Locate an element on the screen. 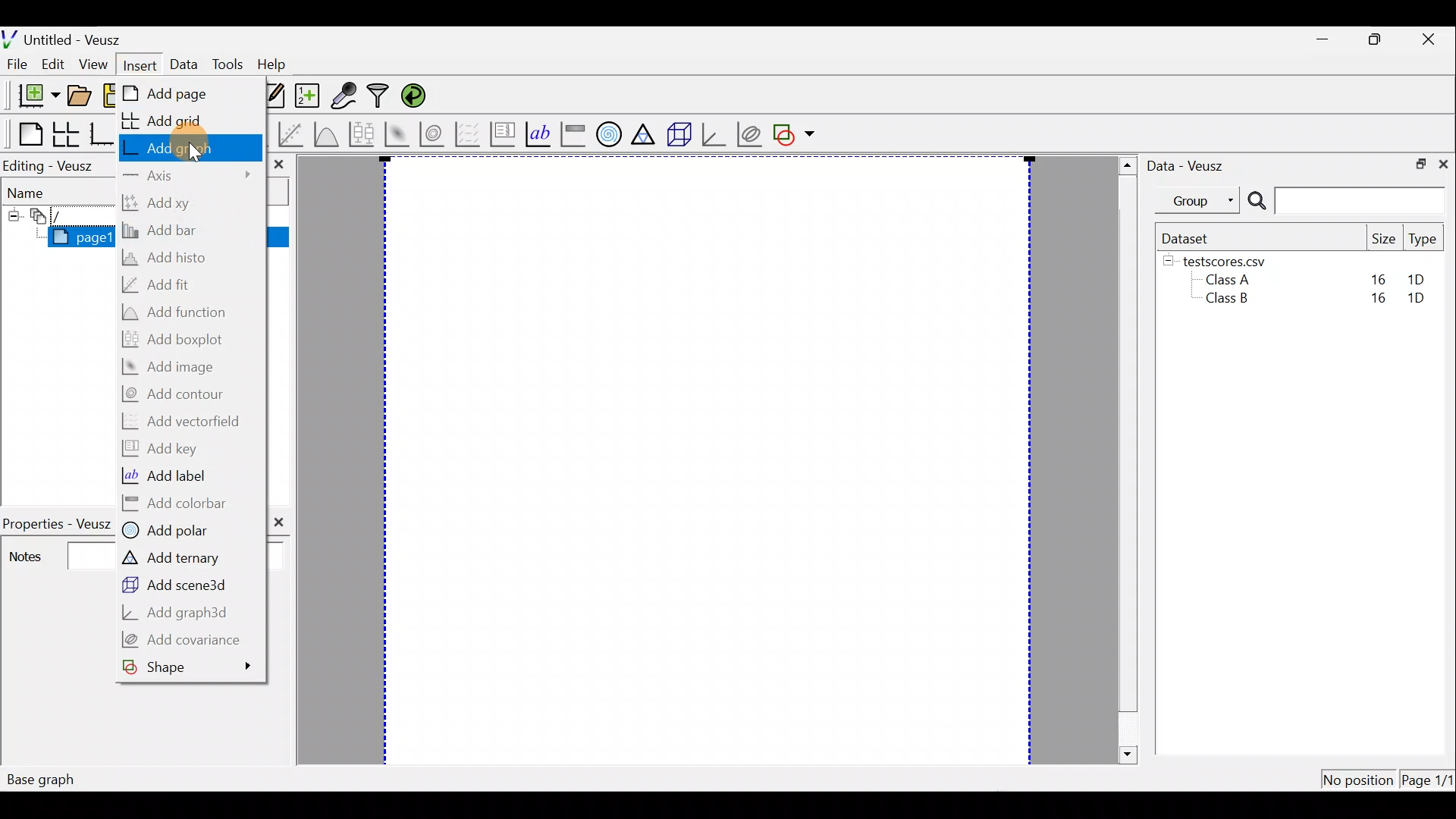  Add image is located at coordinates (174, 367).